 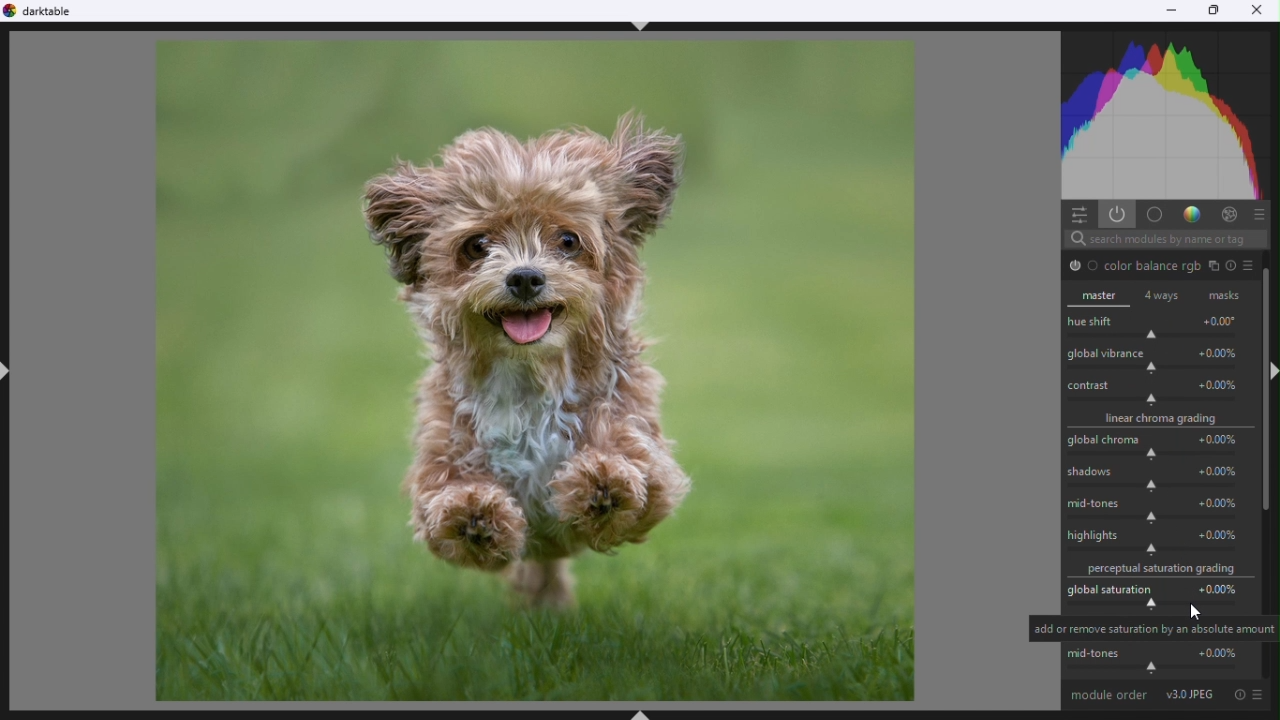 I want to click on Mid tones, so click(x=1161, y=511).